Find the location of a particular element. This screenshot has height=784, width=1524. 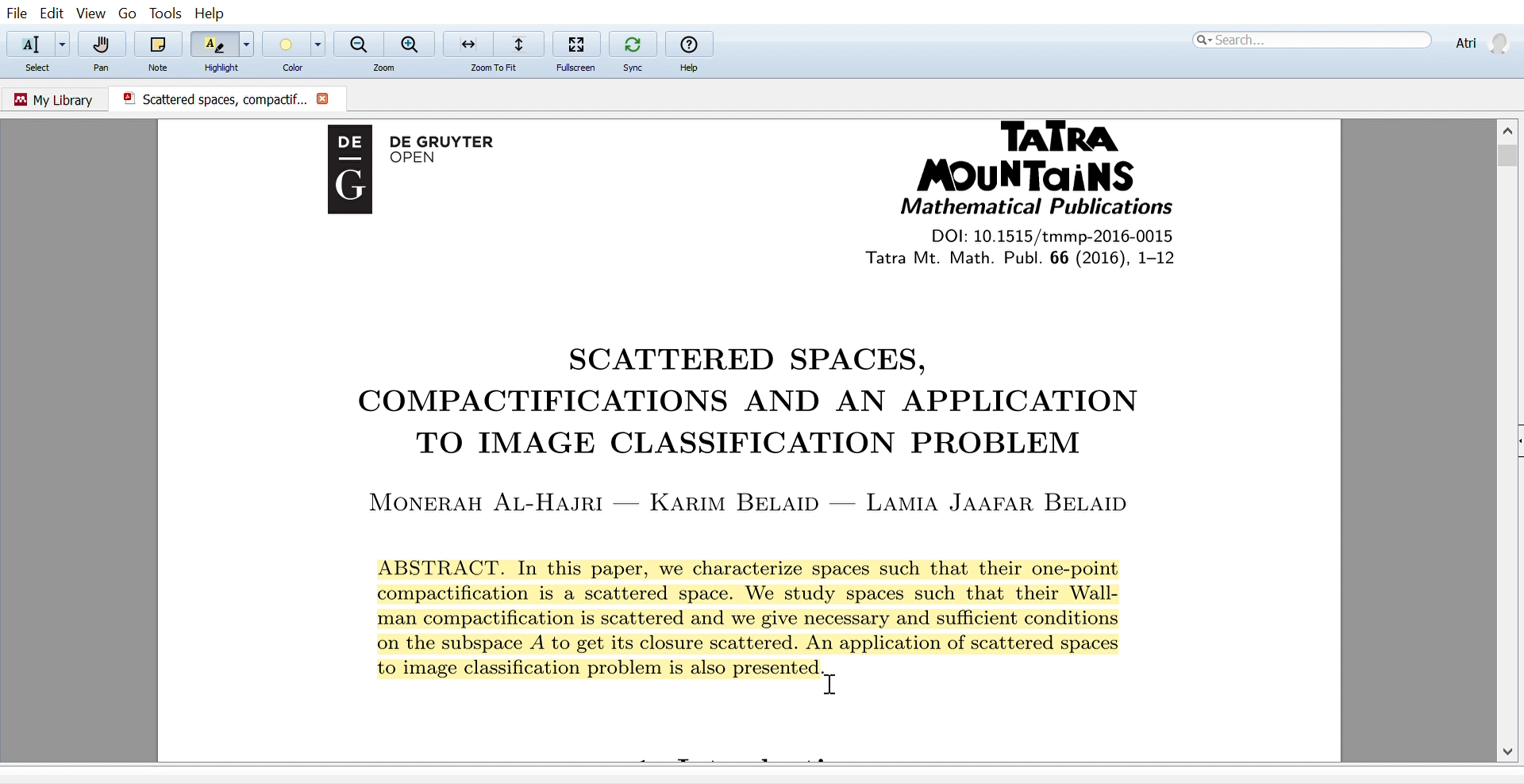

Pan is located at coordinates (104, 44).